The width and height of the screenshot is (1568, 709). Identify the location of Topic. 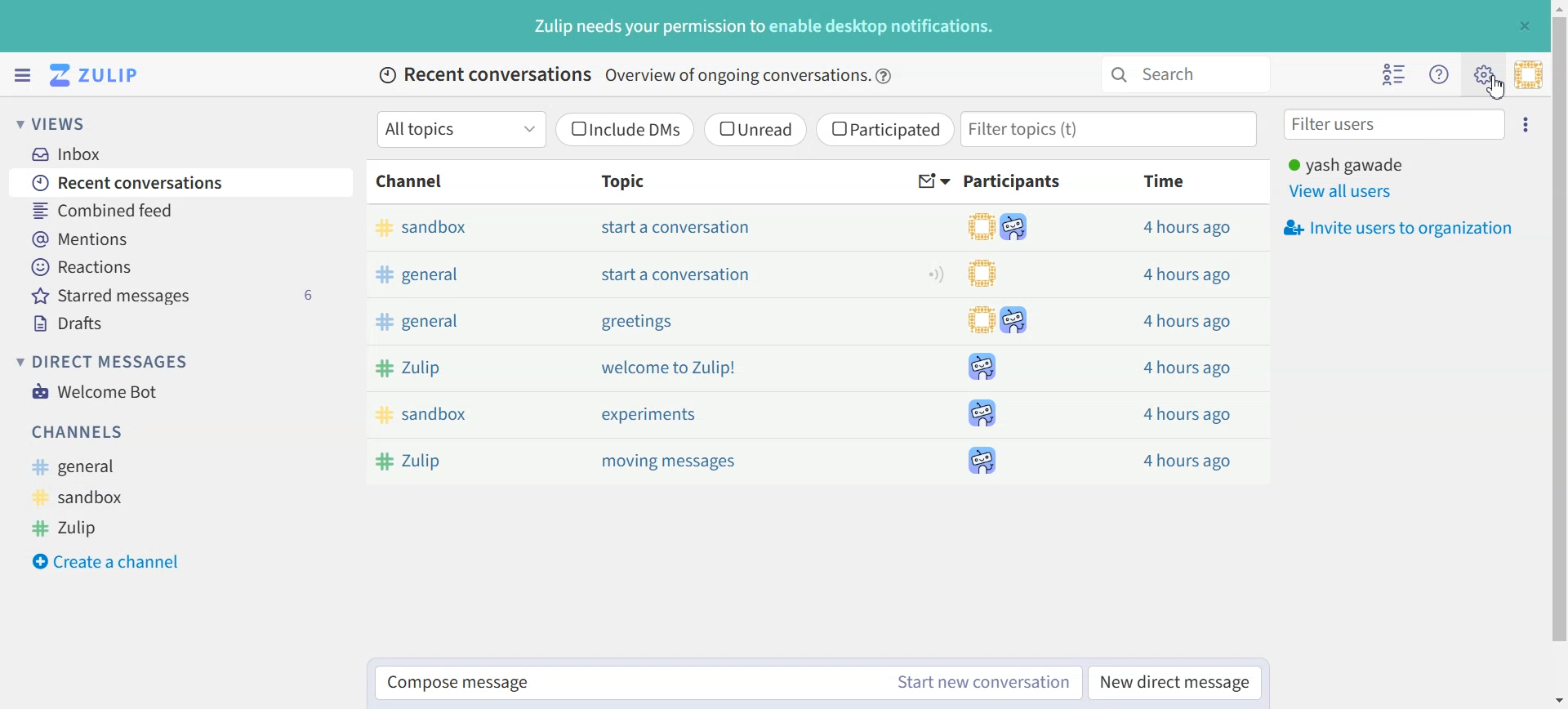
(618, 181).